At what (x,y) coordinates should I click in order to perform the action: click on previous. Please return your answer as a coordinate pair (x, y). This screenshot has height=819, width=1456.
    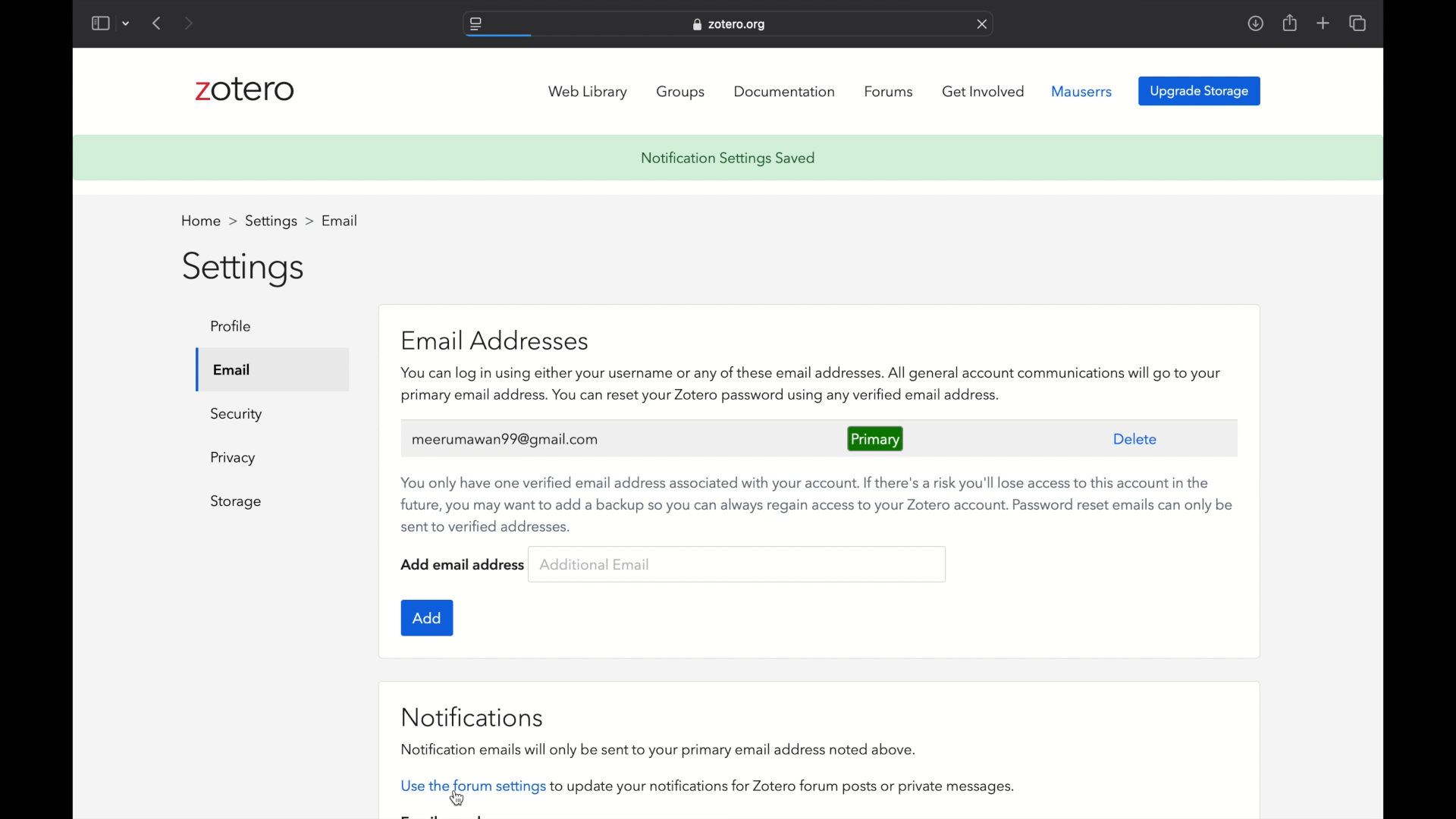
    Looking at the image, I should click on (158, 24).